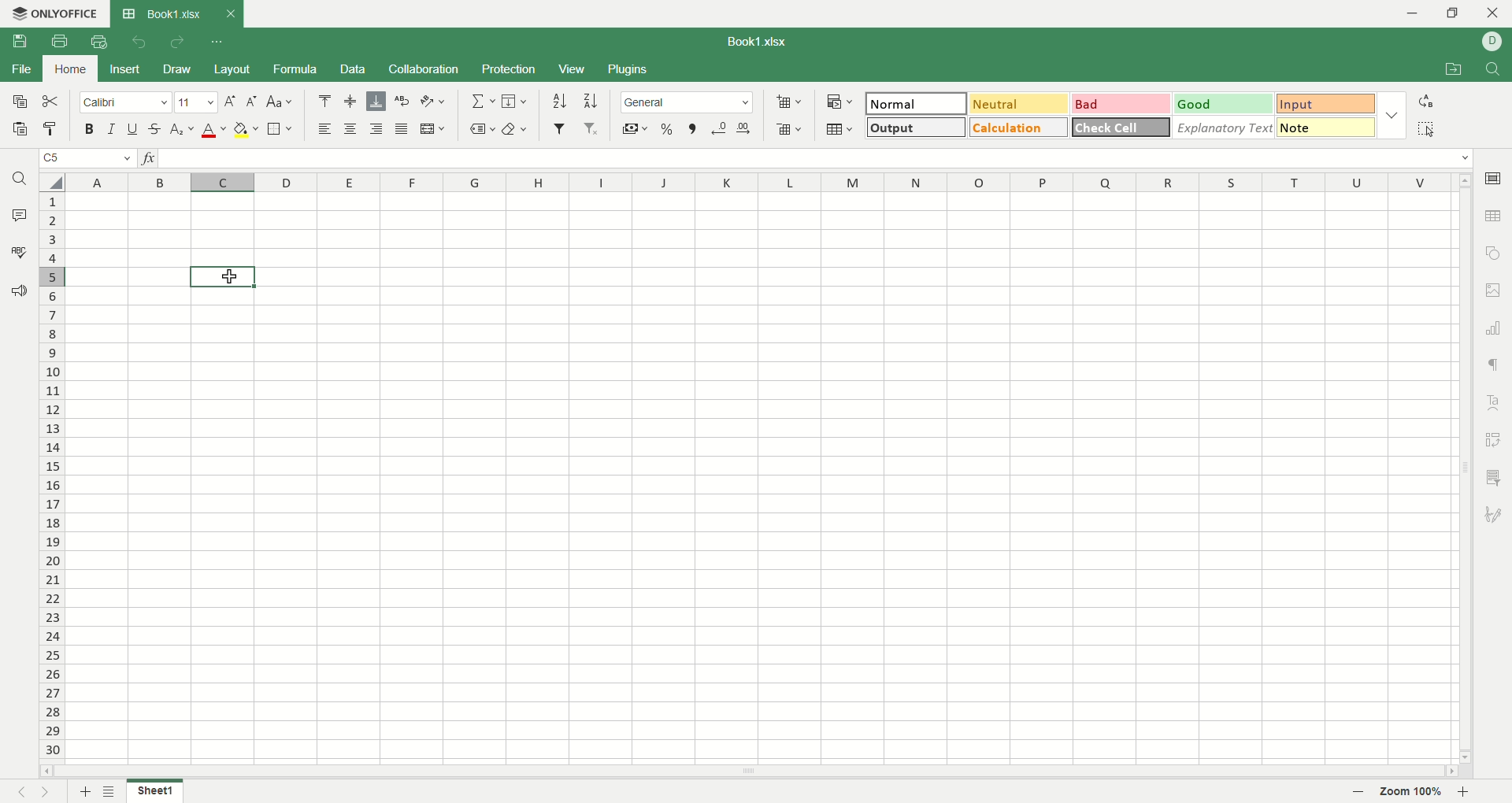 This screenshot has height=803, width=1512. Describe the element at coordinates (837, 100) in the screenshot. I see `conditional formatting` at that location.